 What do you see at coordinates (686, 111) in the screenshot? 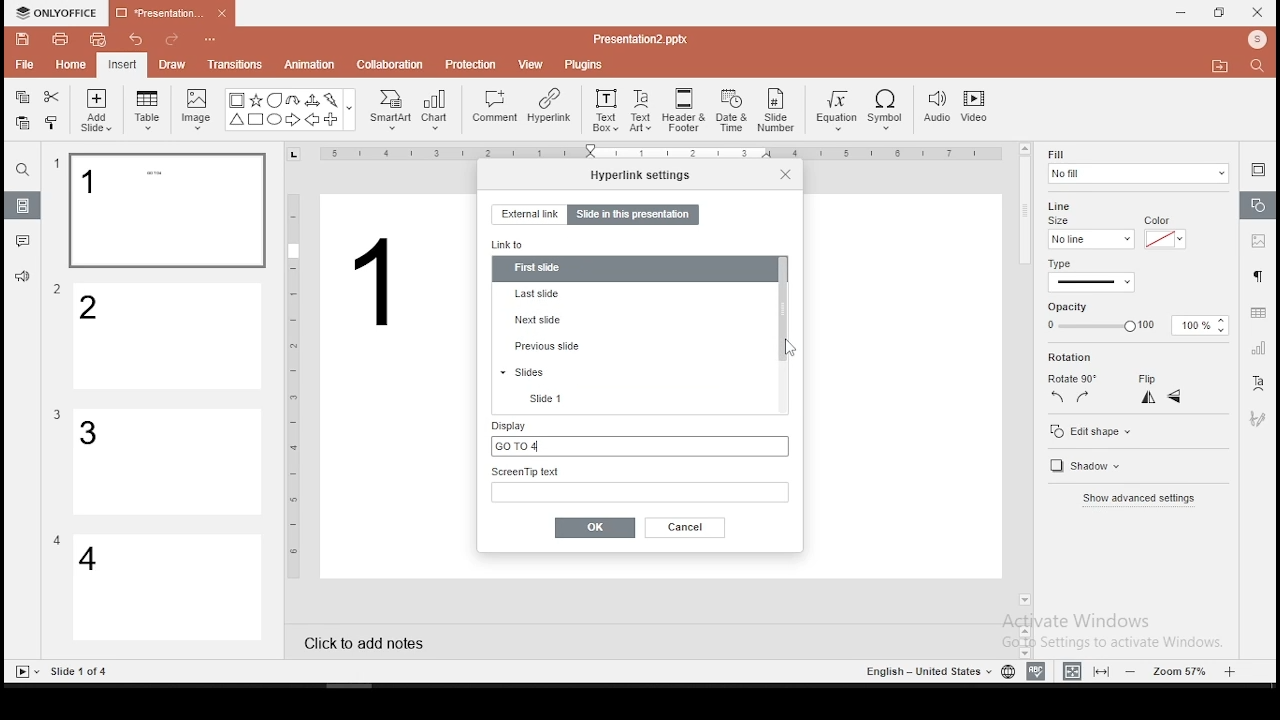
I see `header and footer` at bounding box center [686, 111].